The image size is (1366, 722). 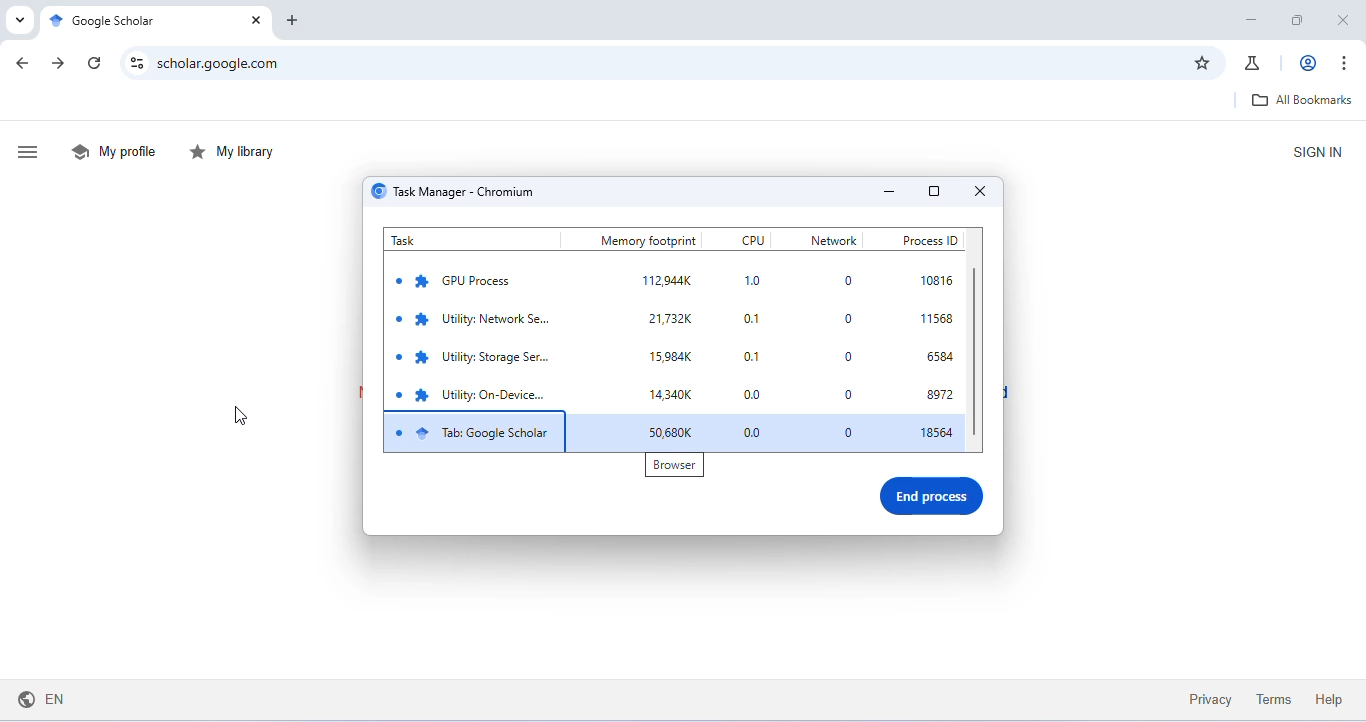 I want to click on my library, so click(x=236, y=153).